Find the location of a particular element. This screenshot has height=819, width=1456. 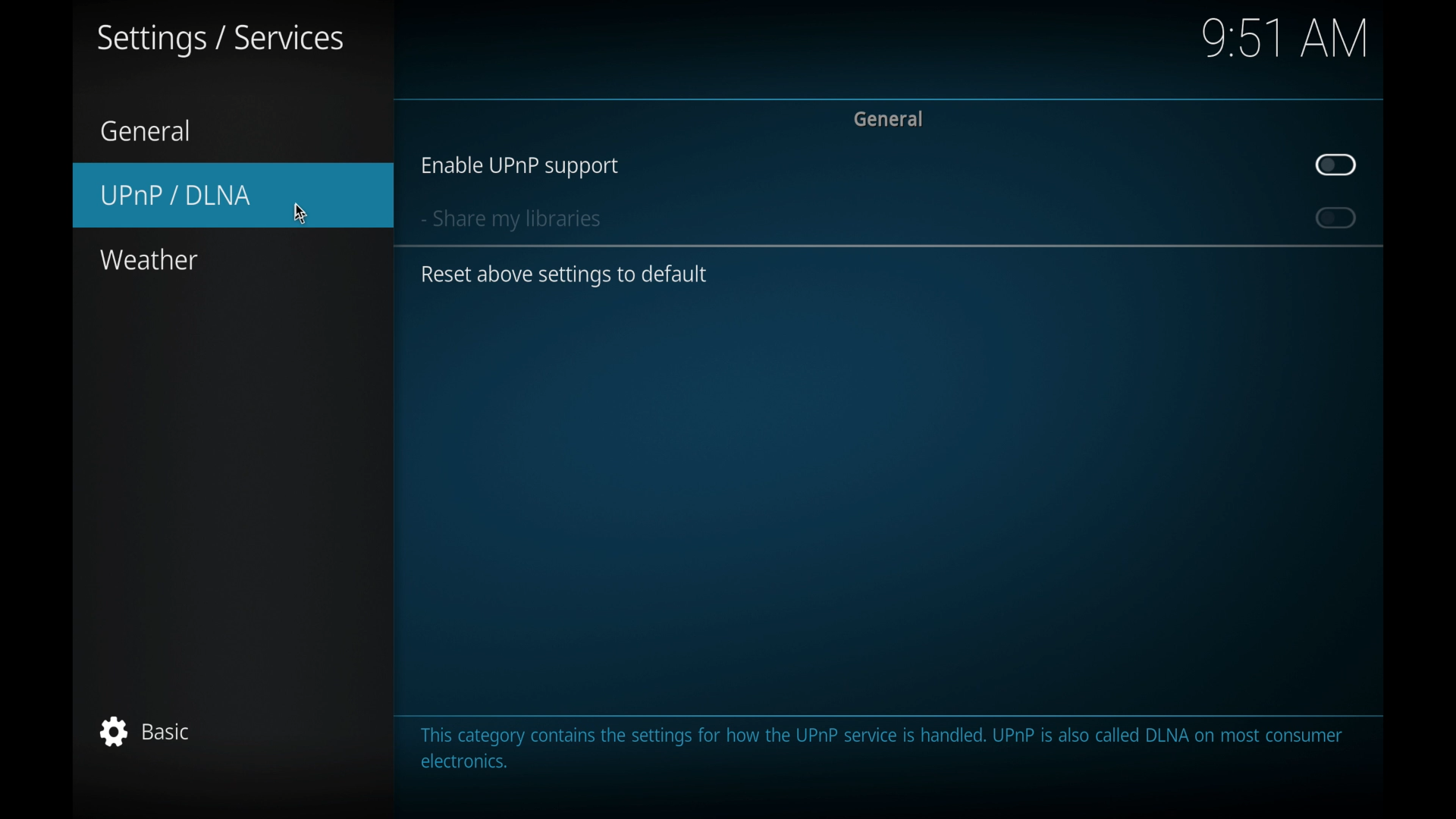

info is located at coordinates (884, 748).